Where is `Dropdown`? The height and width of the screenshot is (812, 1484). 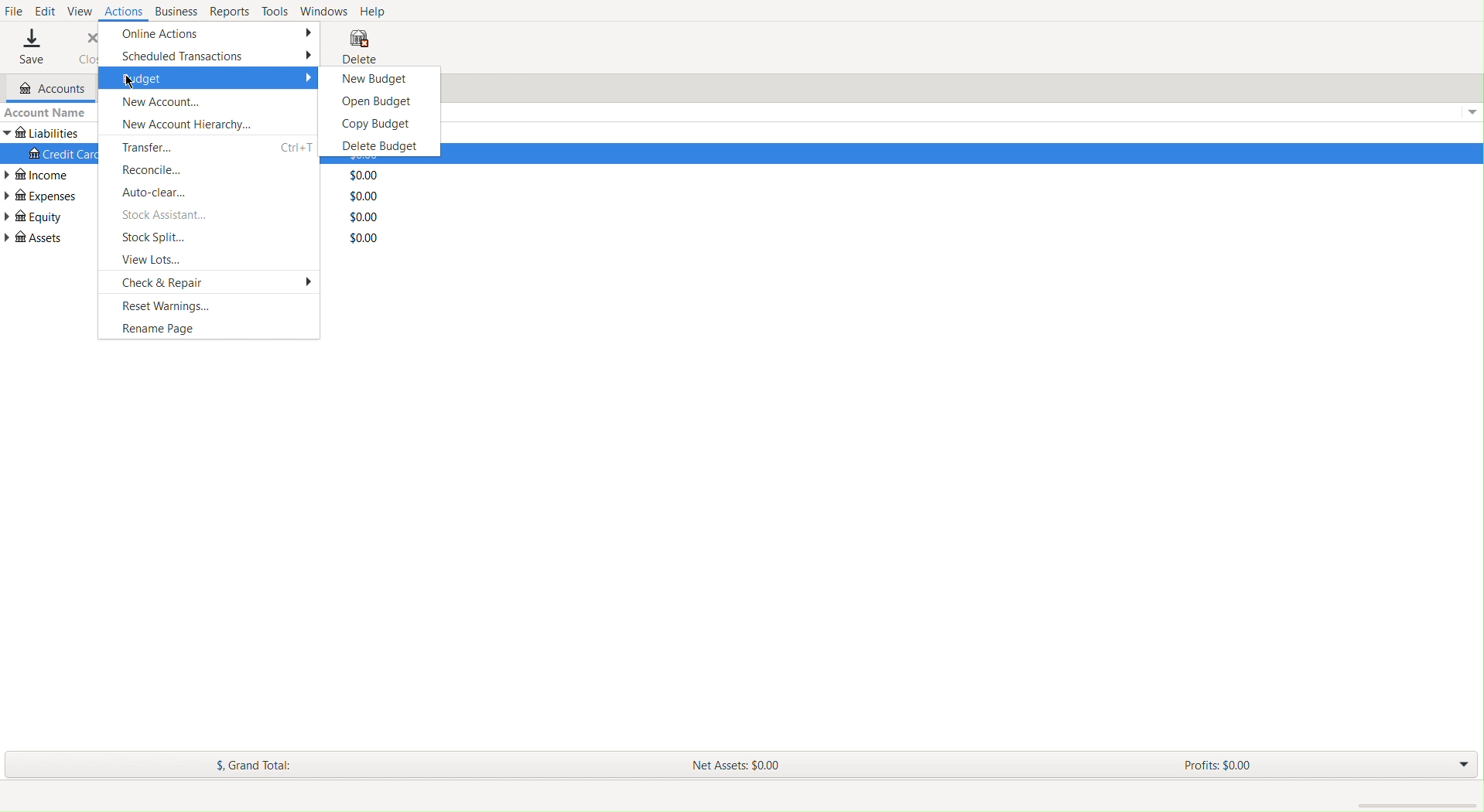
Dropdown is located at coordinates (1469, 113).